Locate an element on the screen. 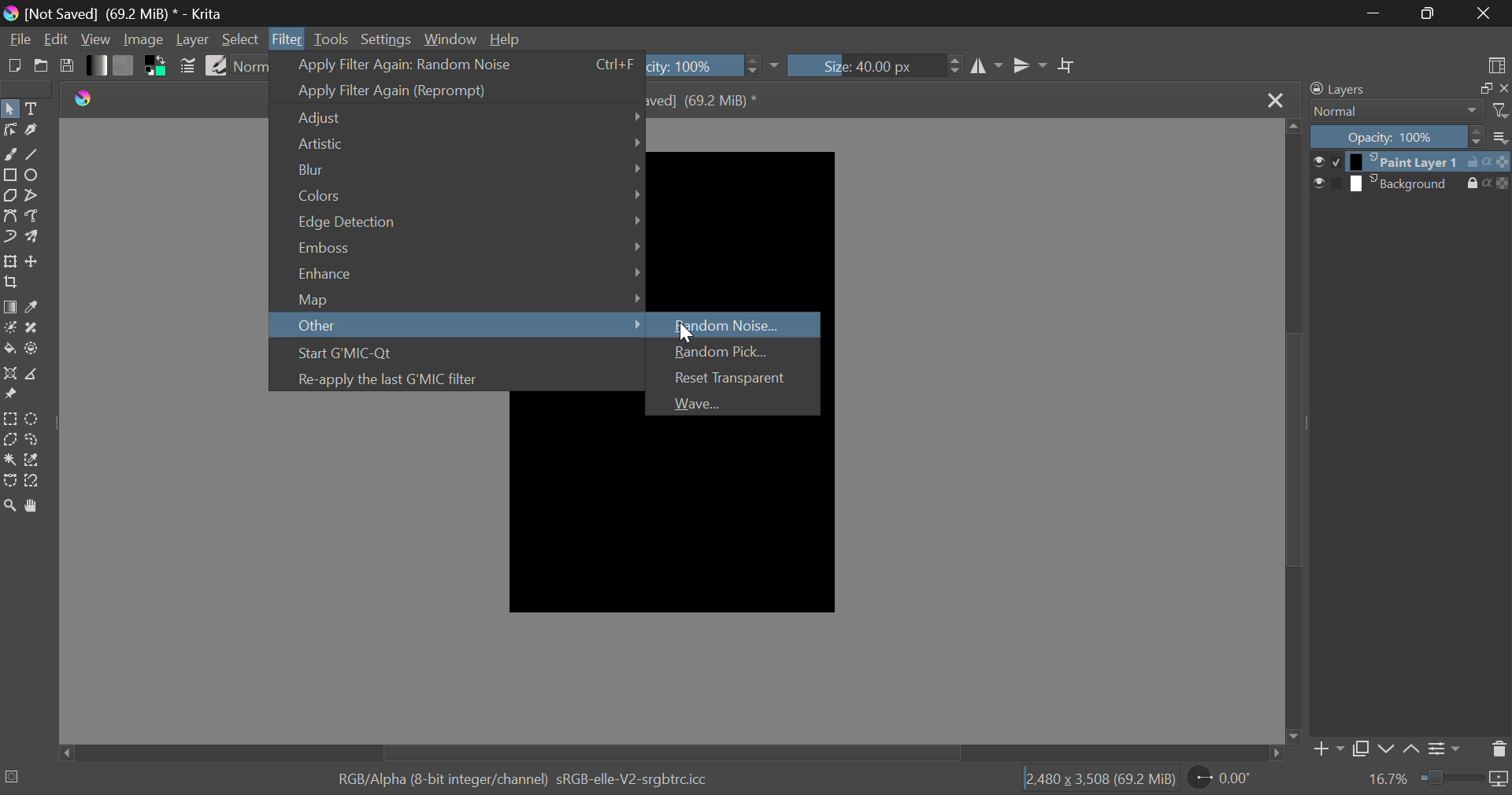  lock is located at coordinates (1462, 183).